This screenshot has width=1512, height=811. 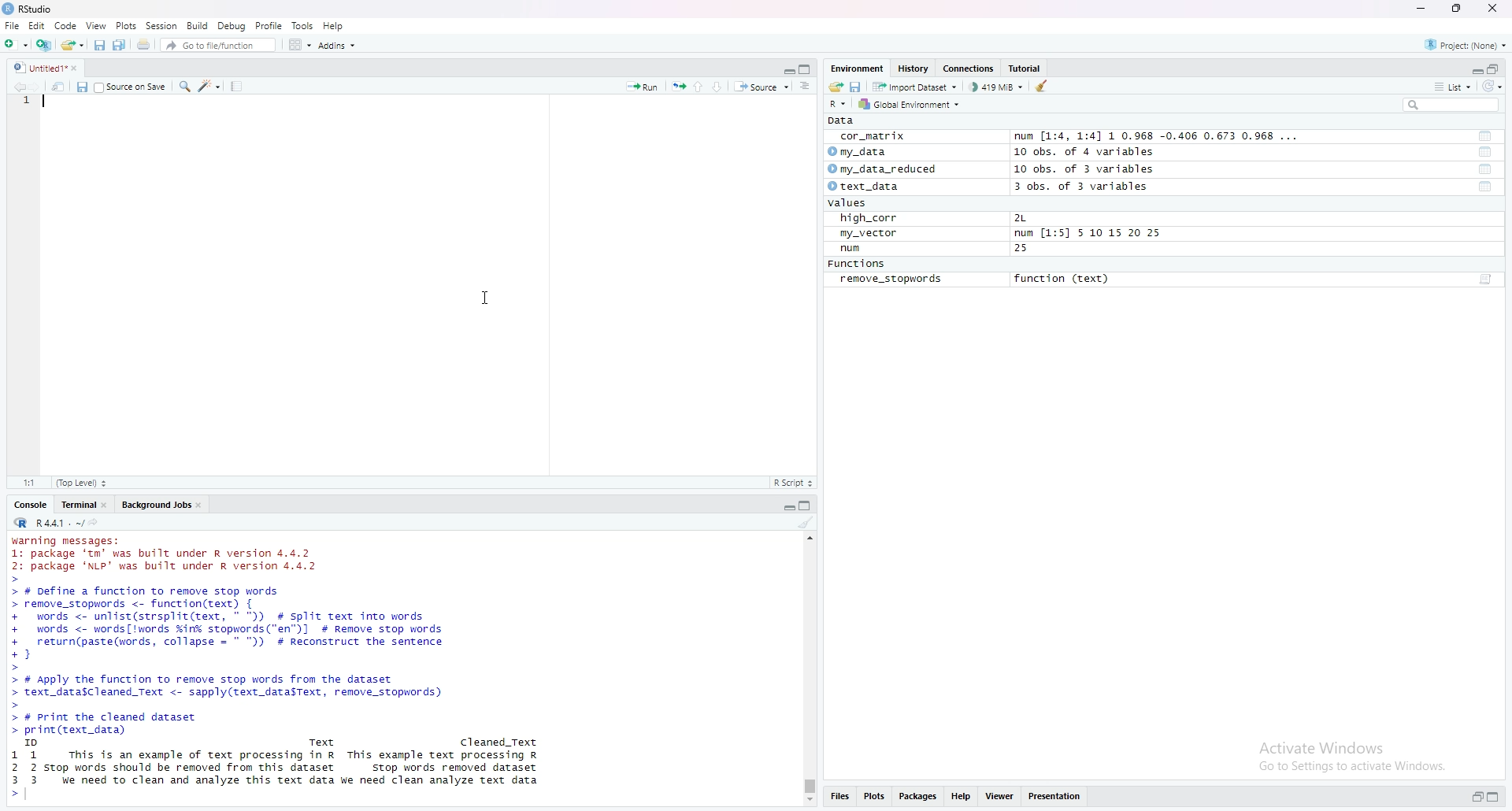 What do you see at coordinates (58, 87) in the screenshot?
I see `Show in new window` at bounding box center [58, 87].